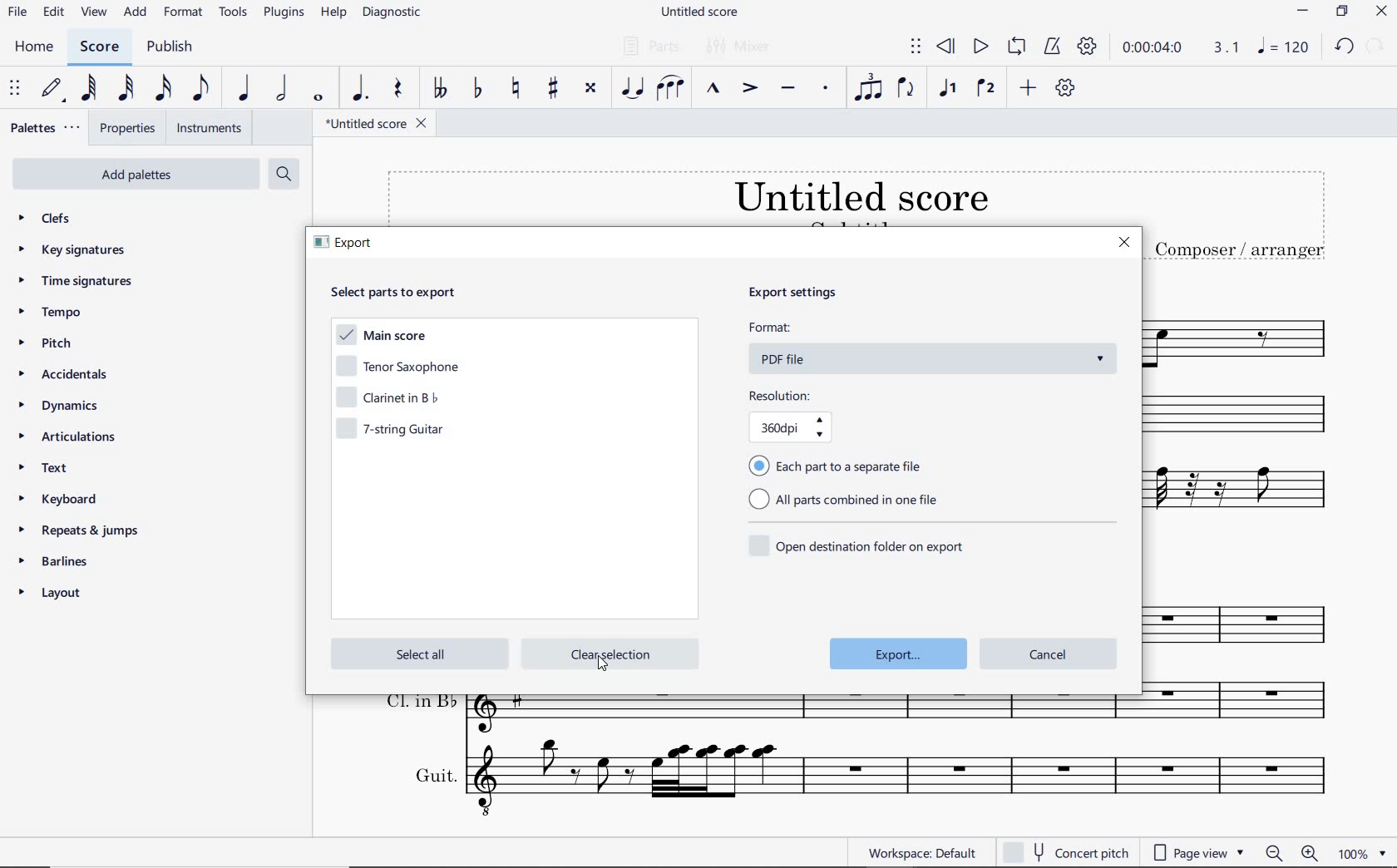 Image resolution: width=1397 pixels, height=868 pixels. What do you see at coordinates (201, 91) in the screenshot?
I see `EIGHTH NOTE` at bounding box center [201, 91].